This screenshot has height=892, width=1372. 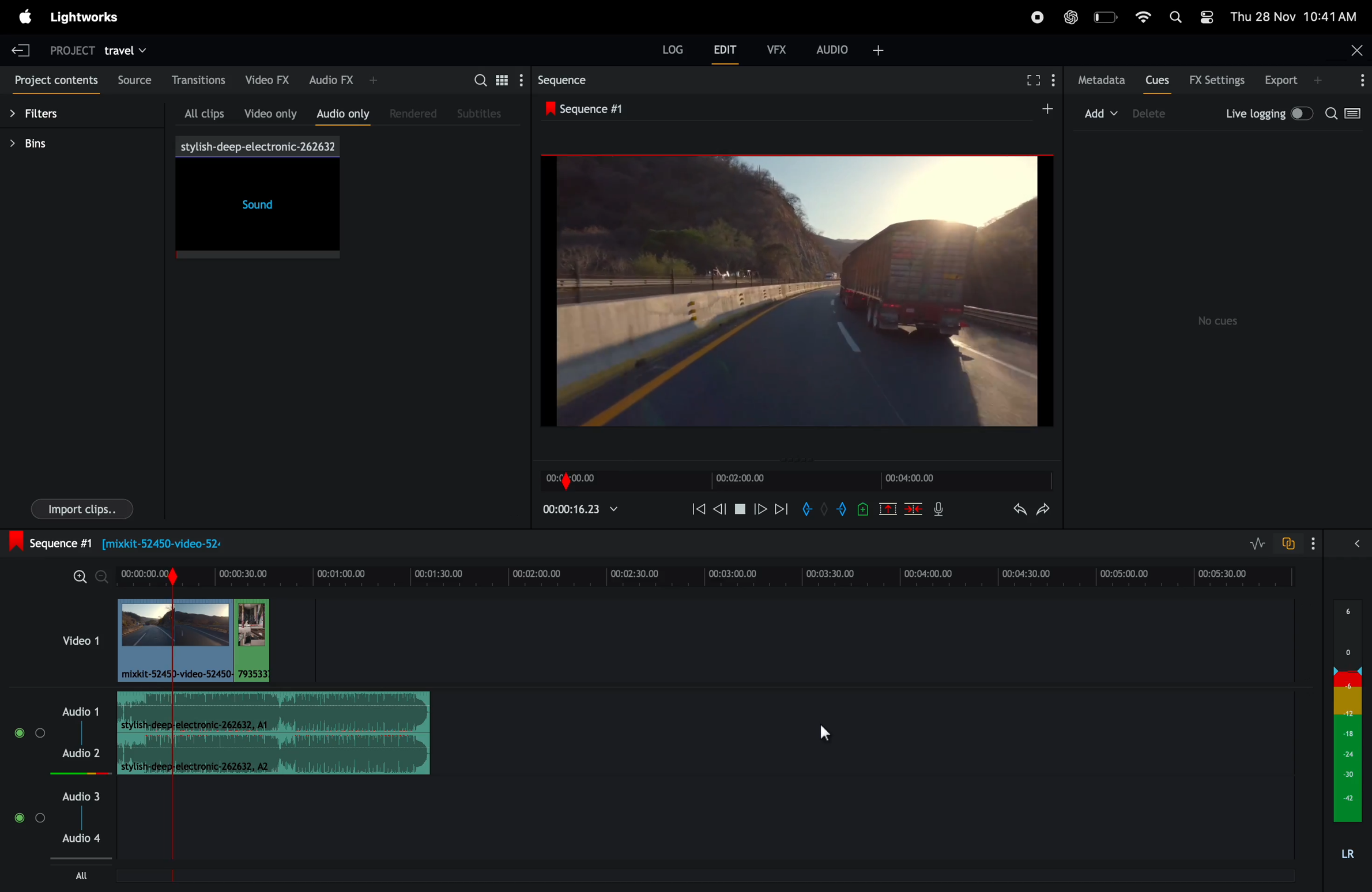 I want to click on Sequence Marker, so click(x=172, y=831).